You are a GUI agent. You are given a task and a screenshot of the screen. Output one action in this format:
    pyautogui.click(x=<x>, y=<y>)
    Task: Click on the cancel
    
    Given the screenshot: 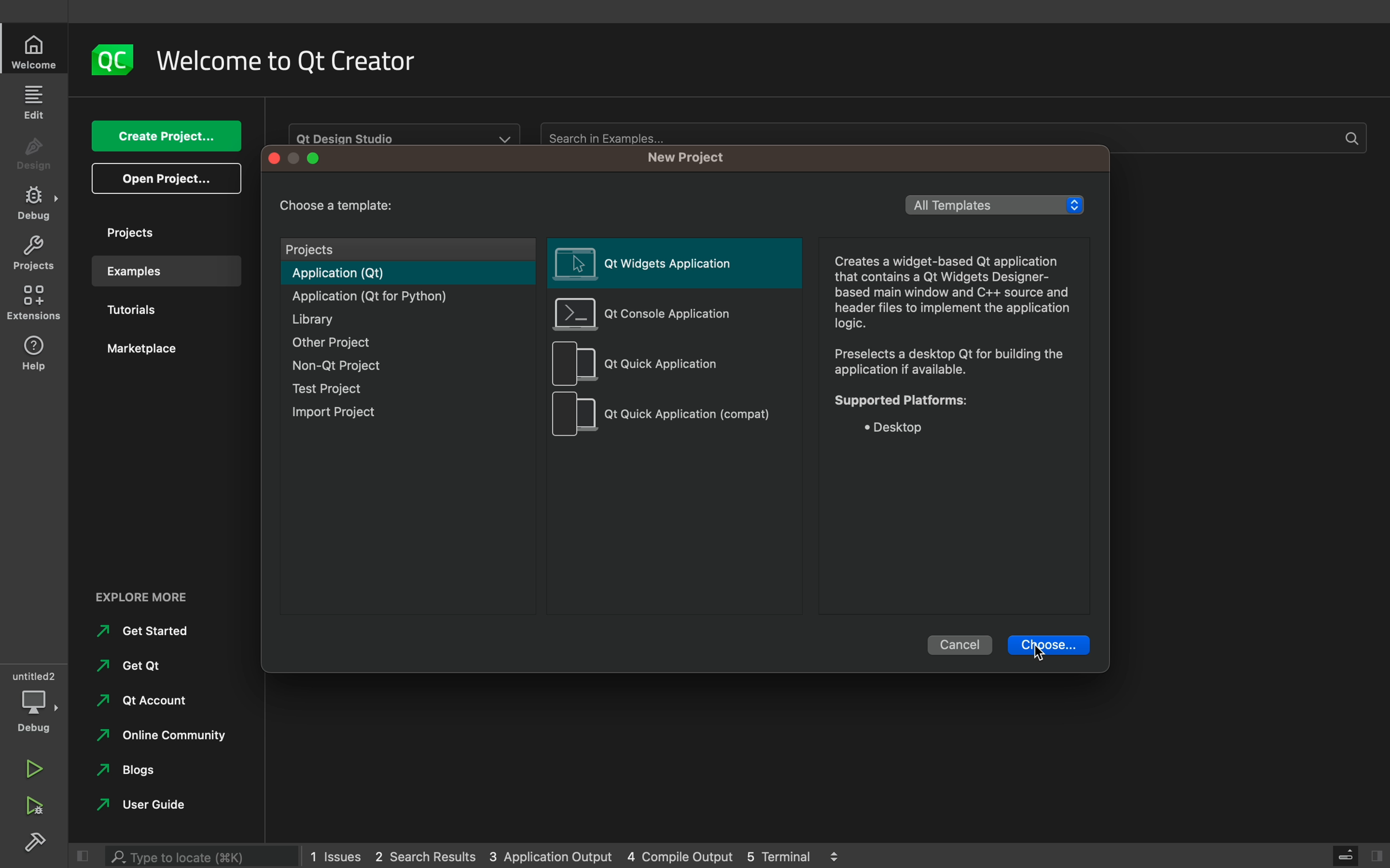 What is the action you would take?
    pyautogui.click(x=960, y=645)
    